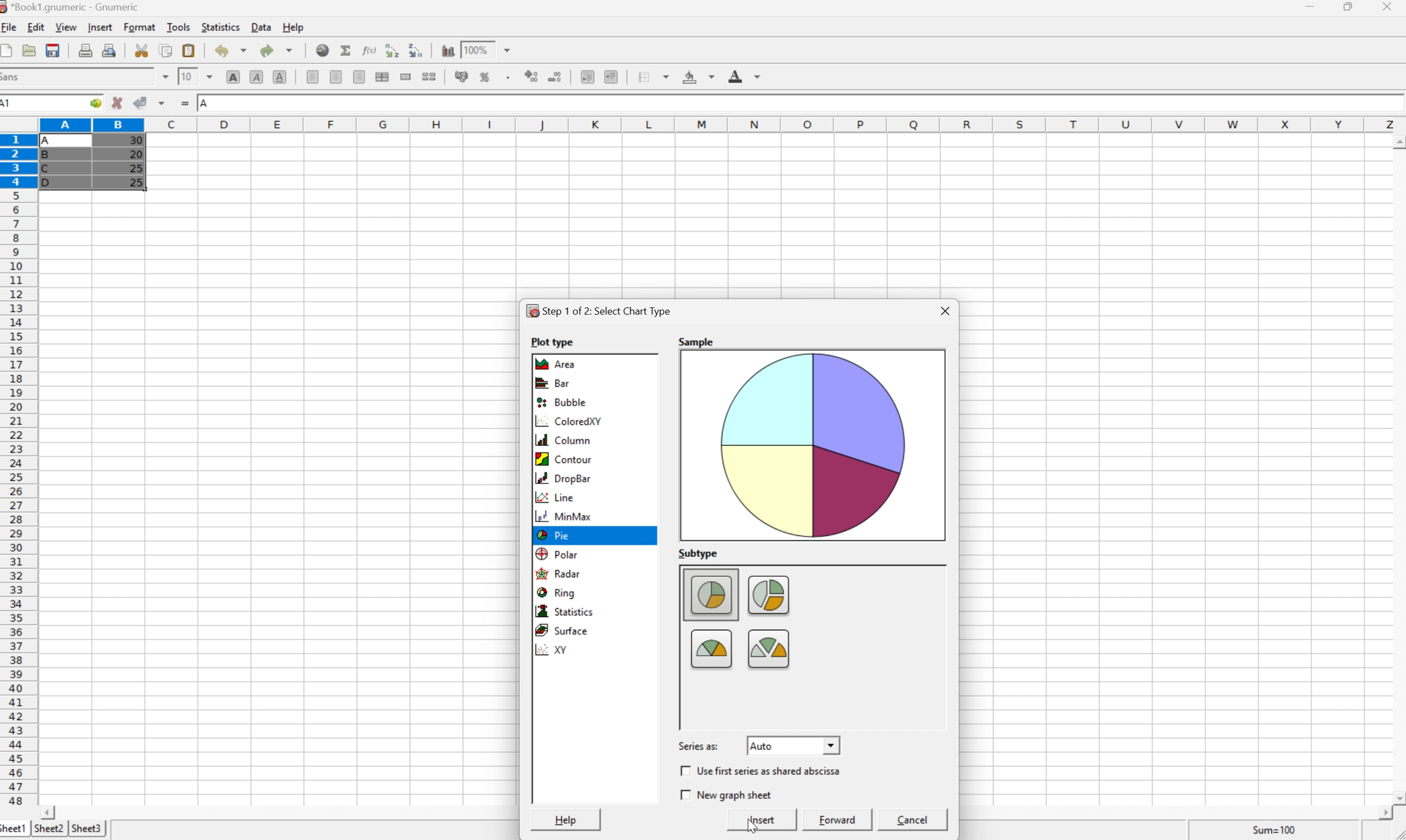 Image resolution: width=1406 pixels, height=840 pixels. Describe the element at coordinates (428, 77) in the screenshot. I see `Split merged ranges of cells` at that location.